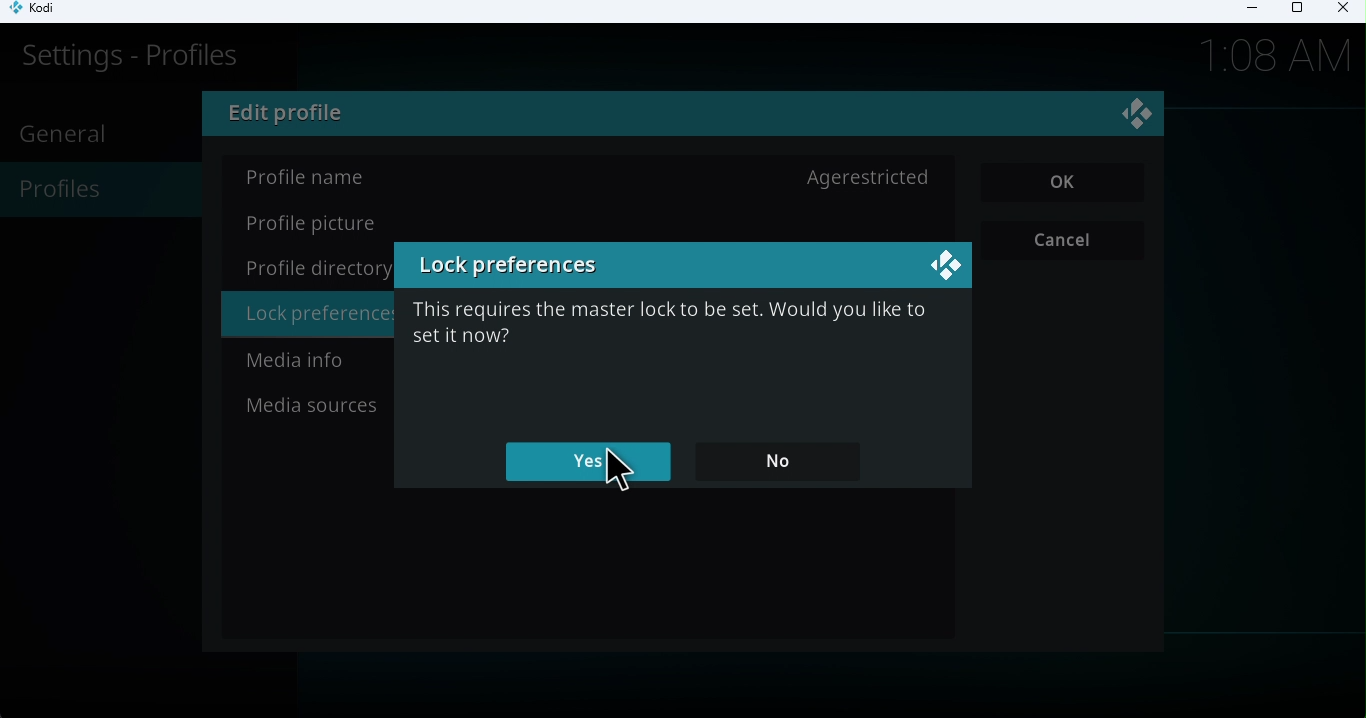 The image size is (1366, 718). I want to click on Minimize, so click(1245, 11).